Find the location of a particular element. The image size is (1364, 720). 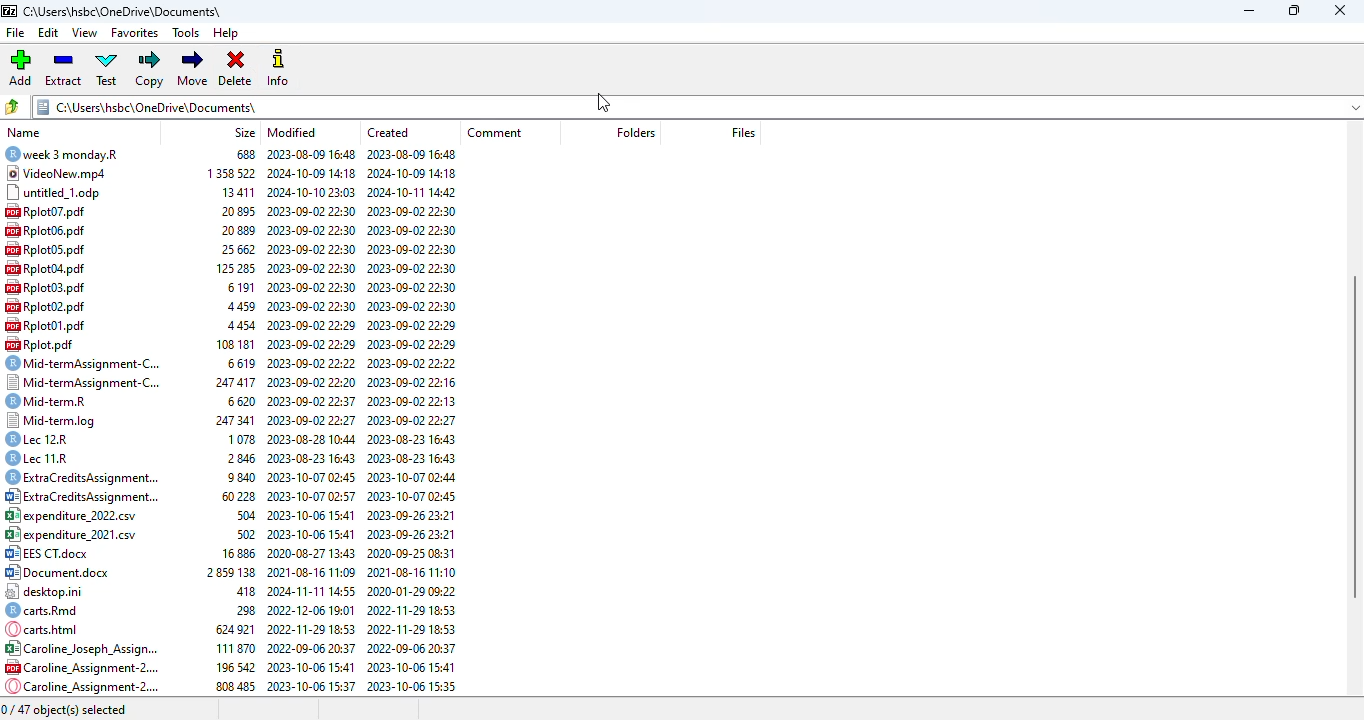

2023-09-02 22:30 is located at coordinates (309, 230).